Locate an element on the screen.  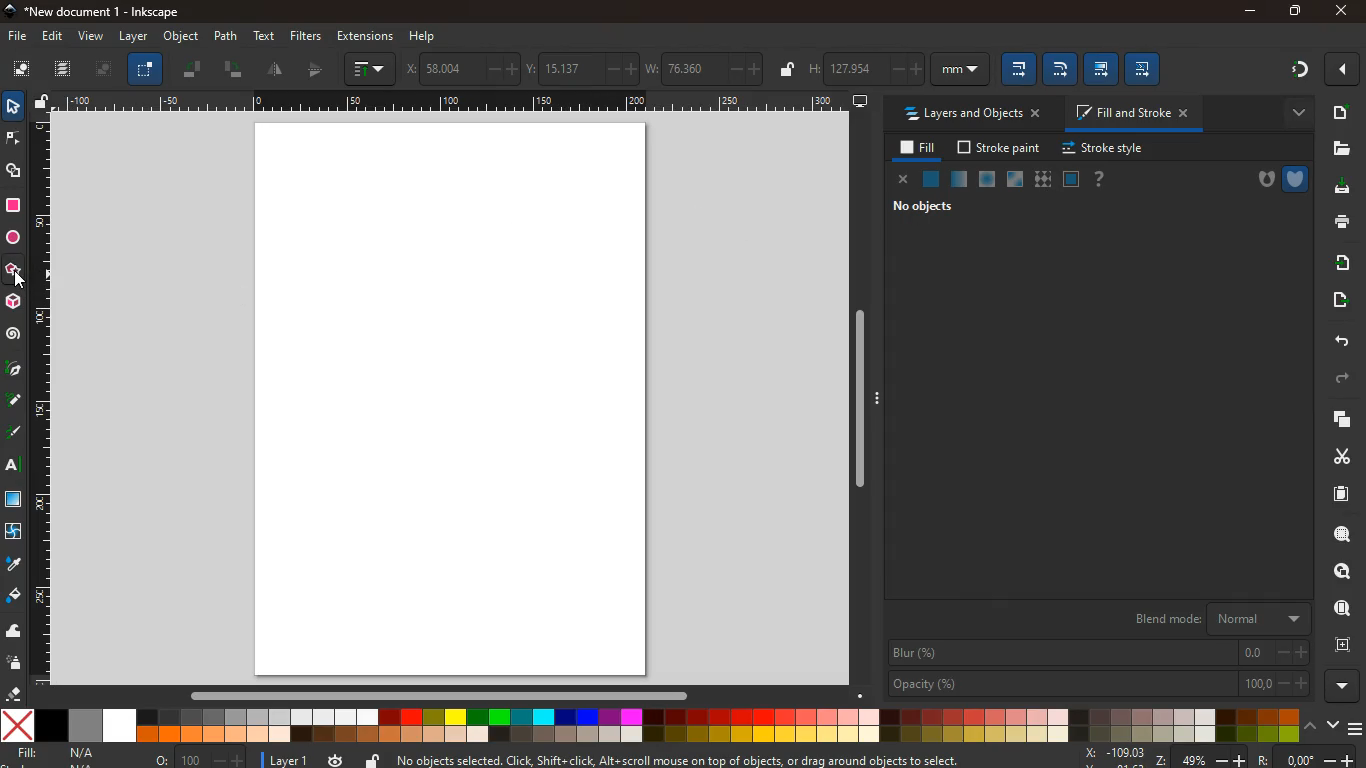
bucket is located at coordinates (13, 596).